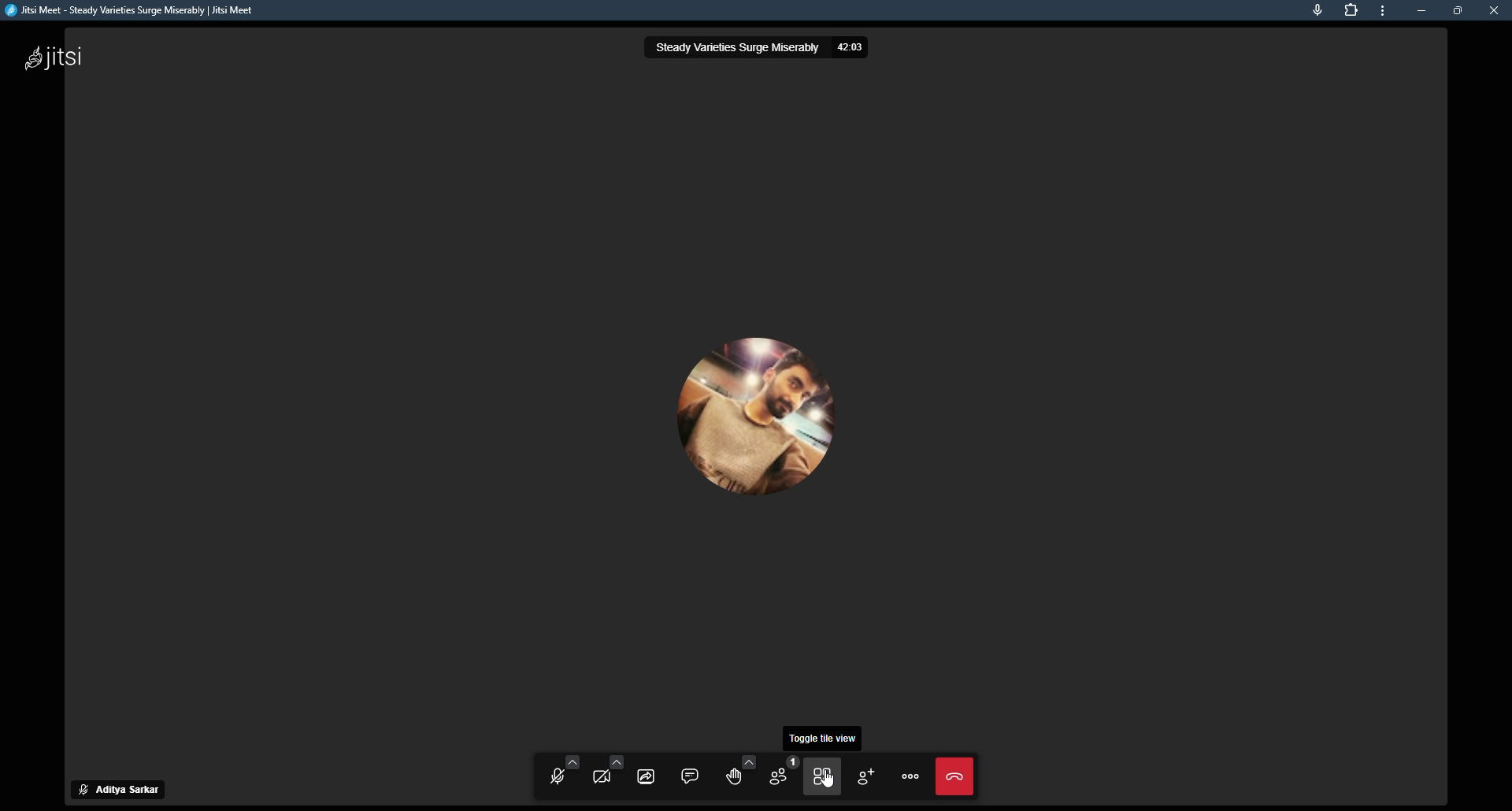 This screenshot has width=1512, height=811. What do you see at coordinates (606, 774) in the screenshot?
I see `start camera` at bounding box center [606, 774].